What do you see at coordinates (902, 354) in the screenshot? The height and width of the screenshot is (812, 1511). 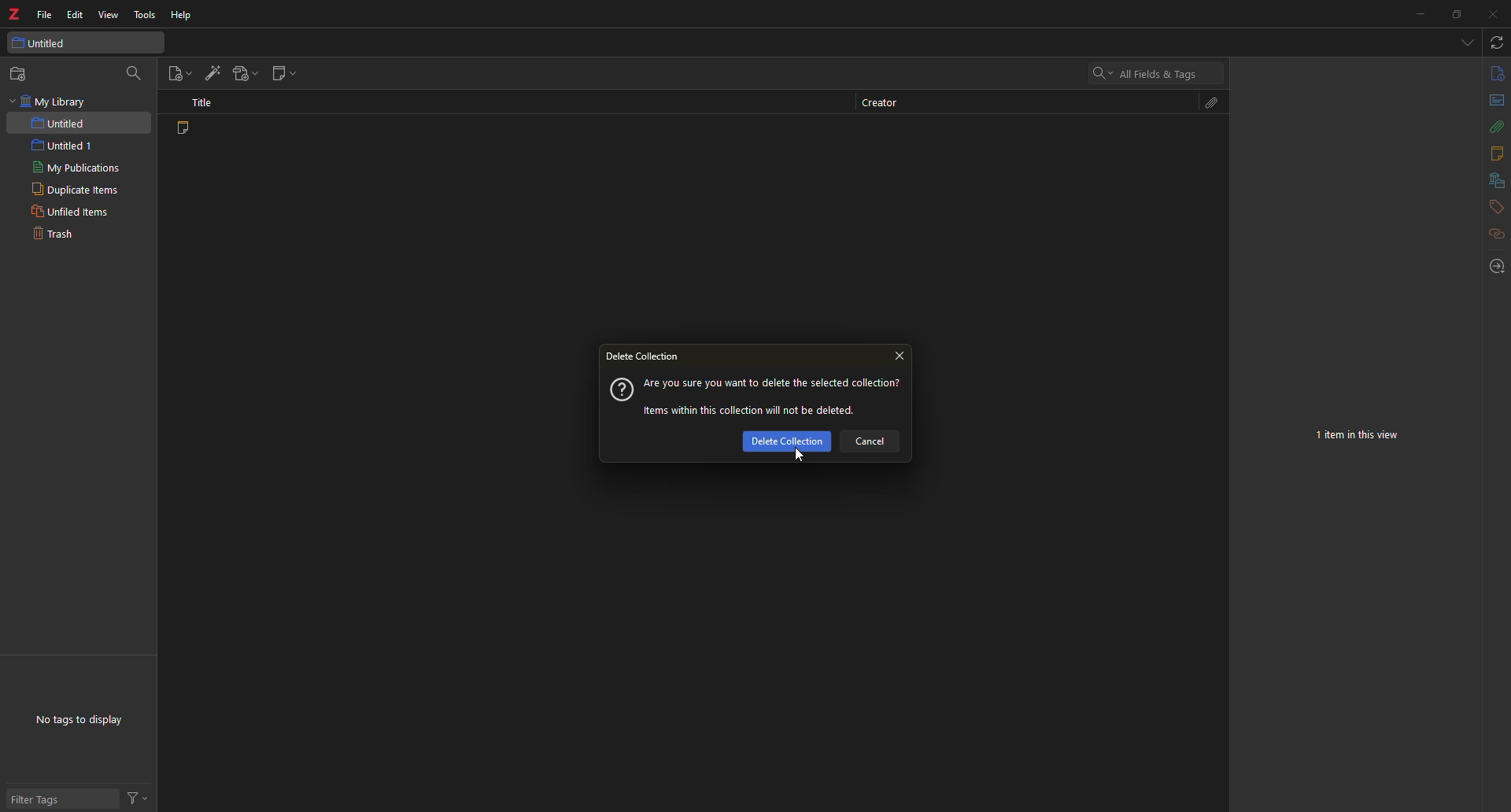 I see `close` at bounding box center [902, 354].